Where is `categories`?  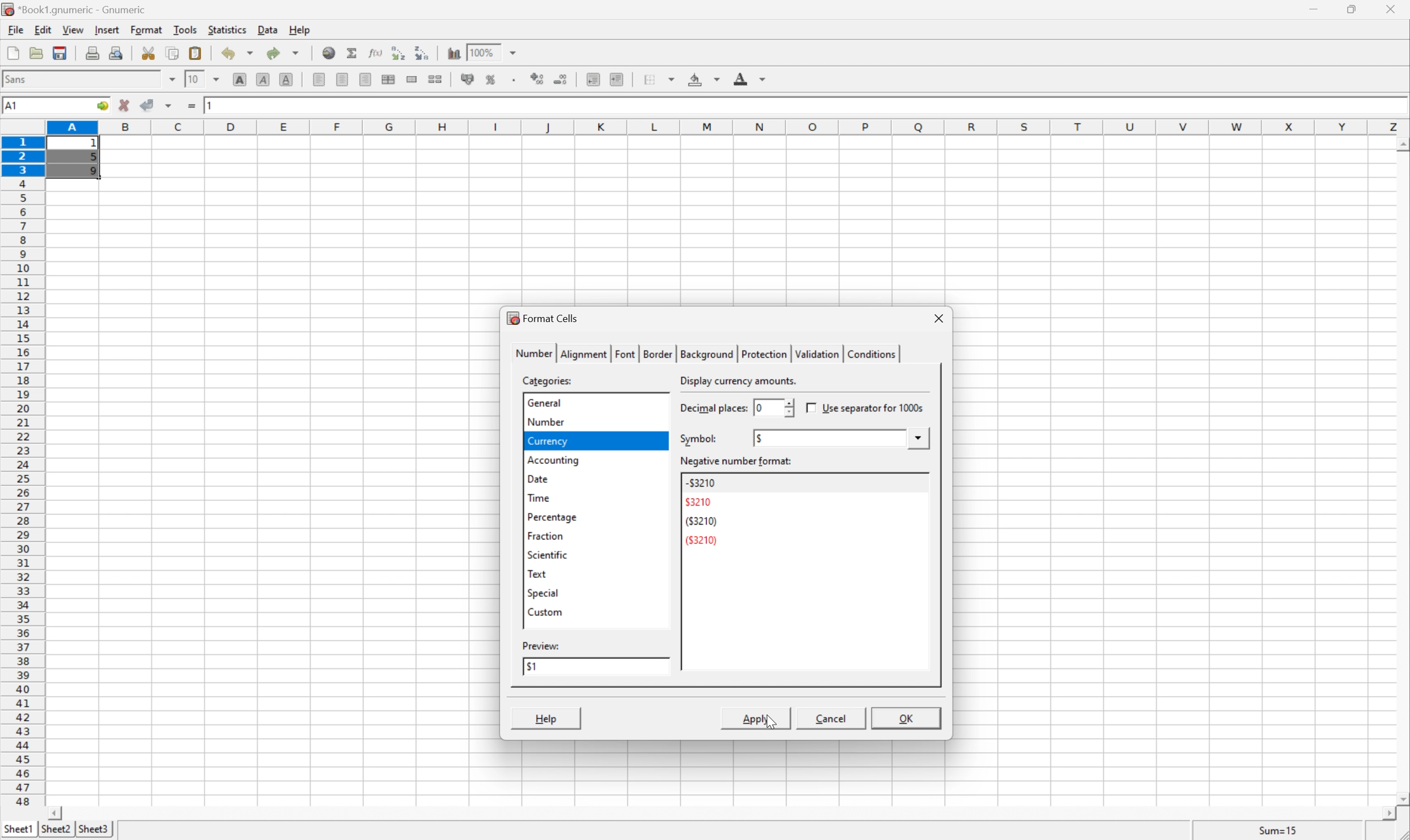 categories is located at coordinates (549, 380).